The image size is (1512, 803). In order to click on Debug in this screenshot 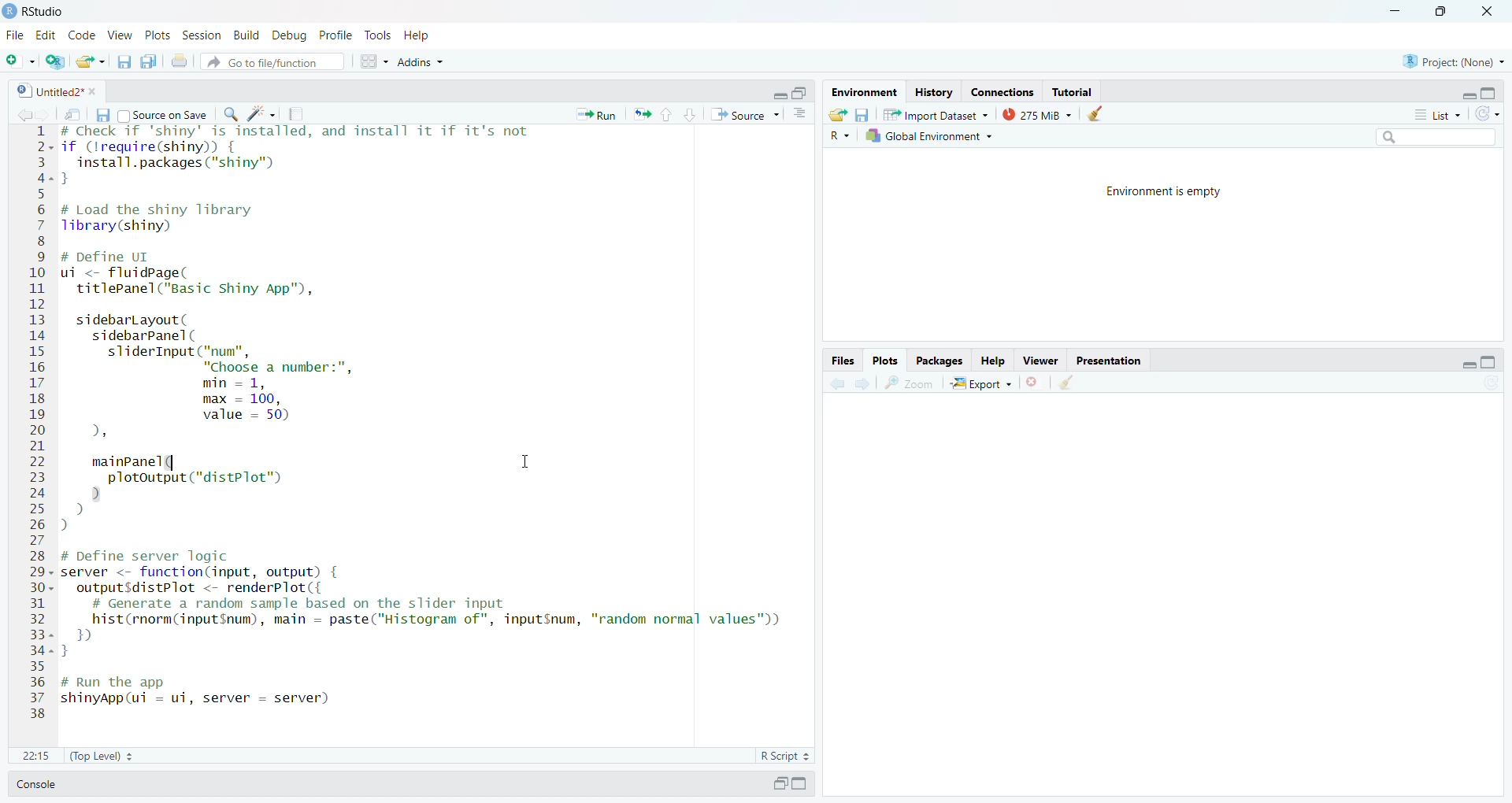, I will do `click(291, 35)`.